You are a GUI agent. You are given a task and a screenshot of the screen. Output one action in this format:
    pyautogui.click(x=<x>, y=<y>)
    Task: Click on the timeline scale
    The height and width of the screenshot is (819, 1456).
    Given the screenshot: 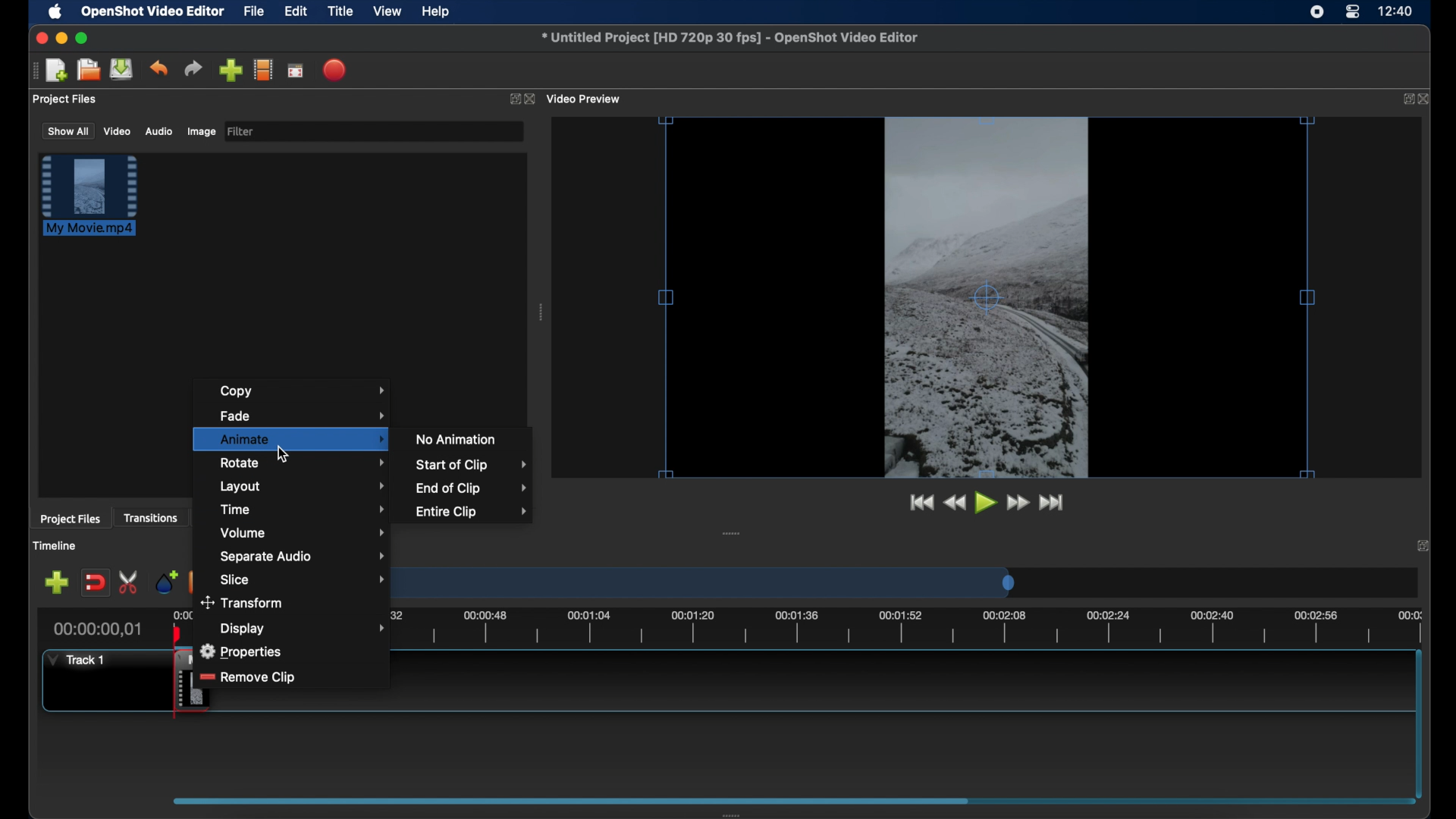 What is the action you would take?
    pyautogui.click(x=712, y=585)
    